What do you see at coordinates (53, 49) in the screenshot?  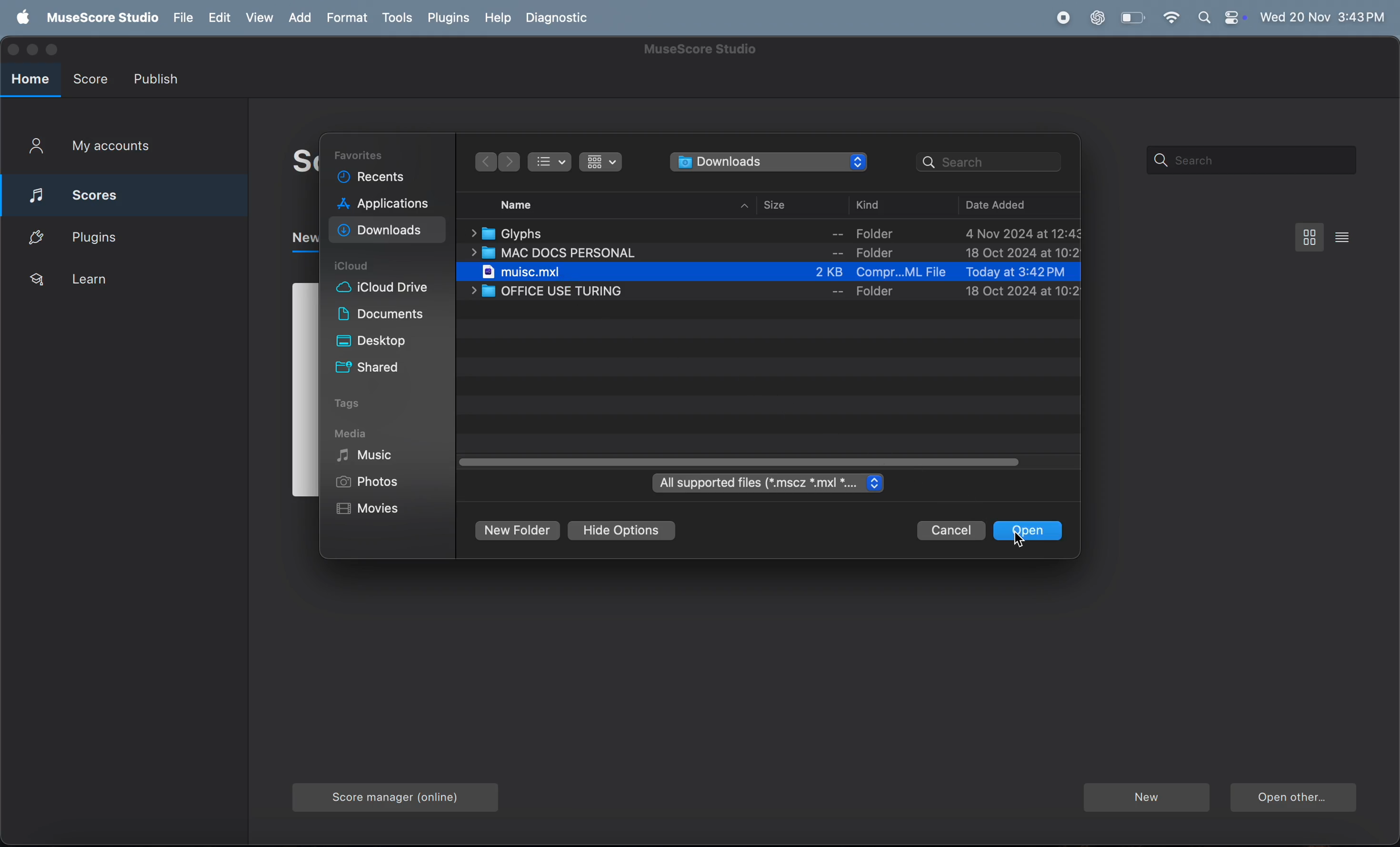 I see `maximize` at bounding box center [53, 49].